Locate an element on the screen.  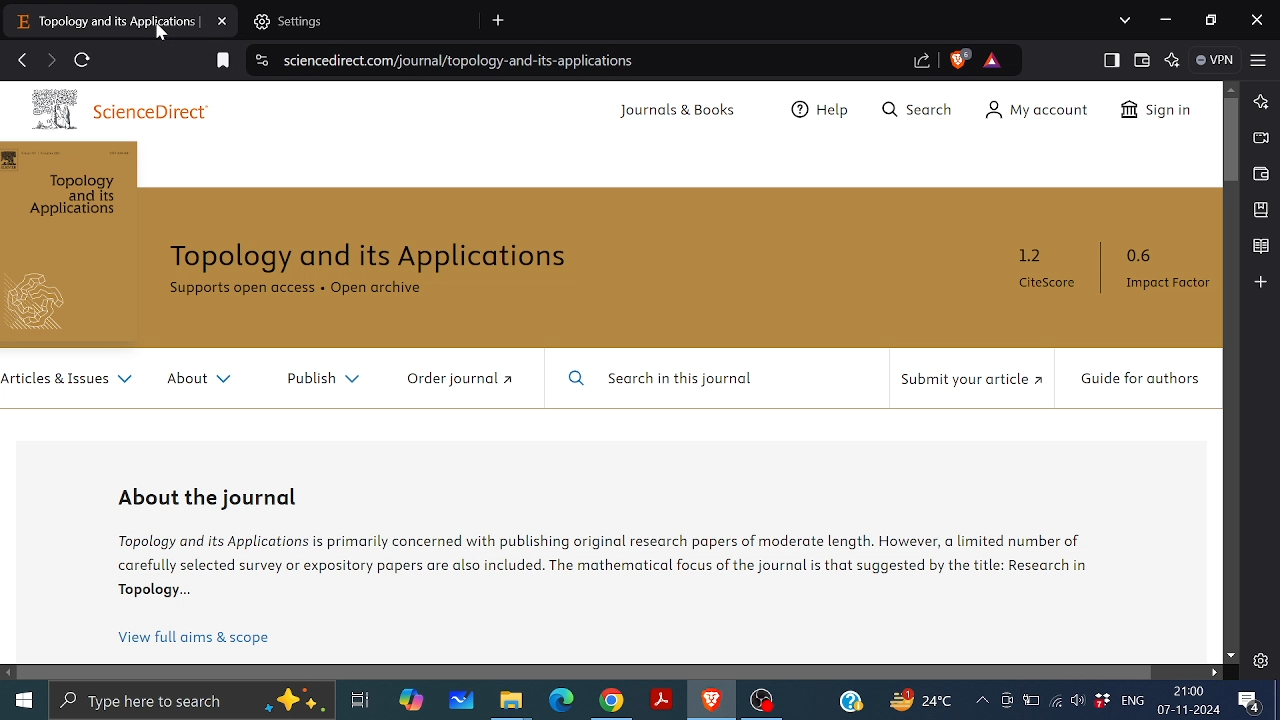
Help is located at coordinates (813, 111).